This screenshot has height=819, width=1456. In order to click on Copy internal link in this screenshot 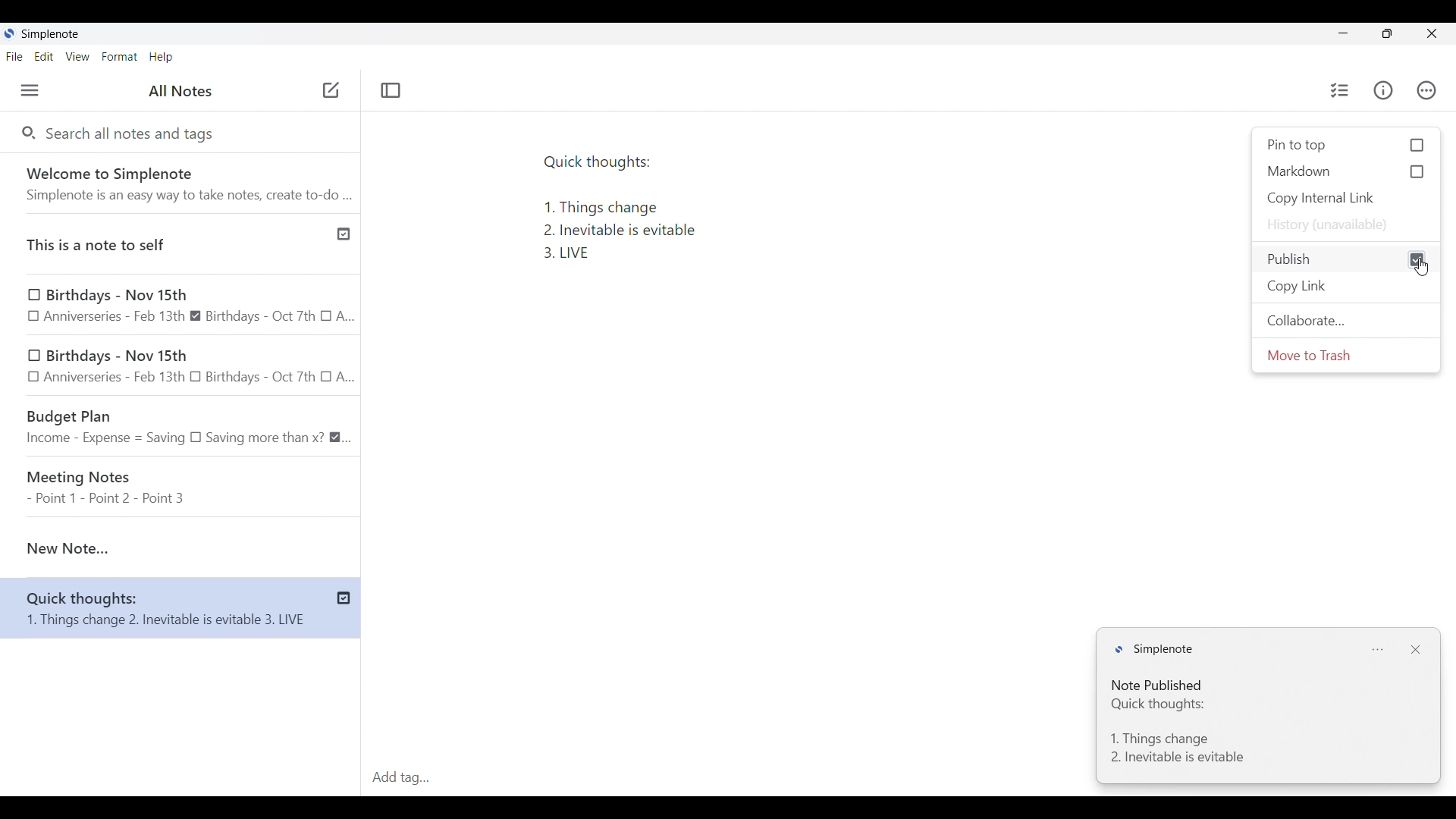, I will do `click(1345, 199)`.